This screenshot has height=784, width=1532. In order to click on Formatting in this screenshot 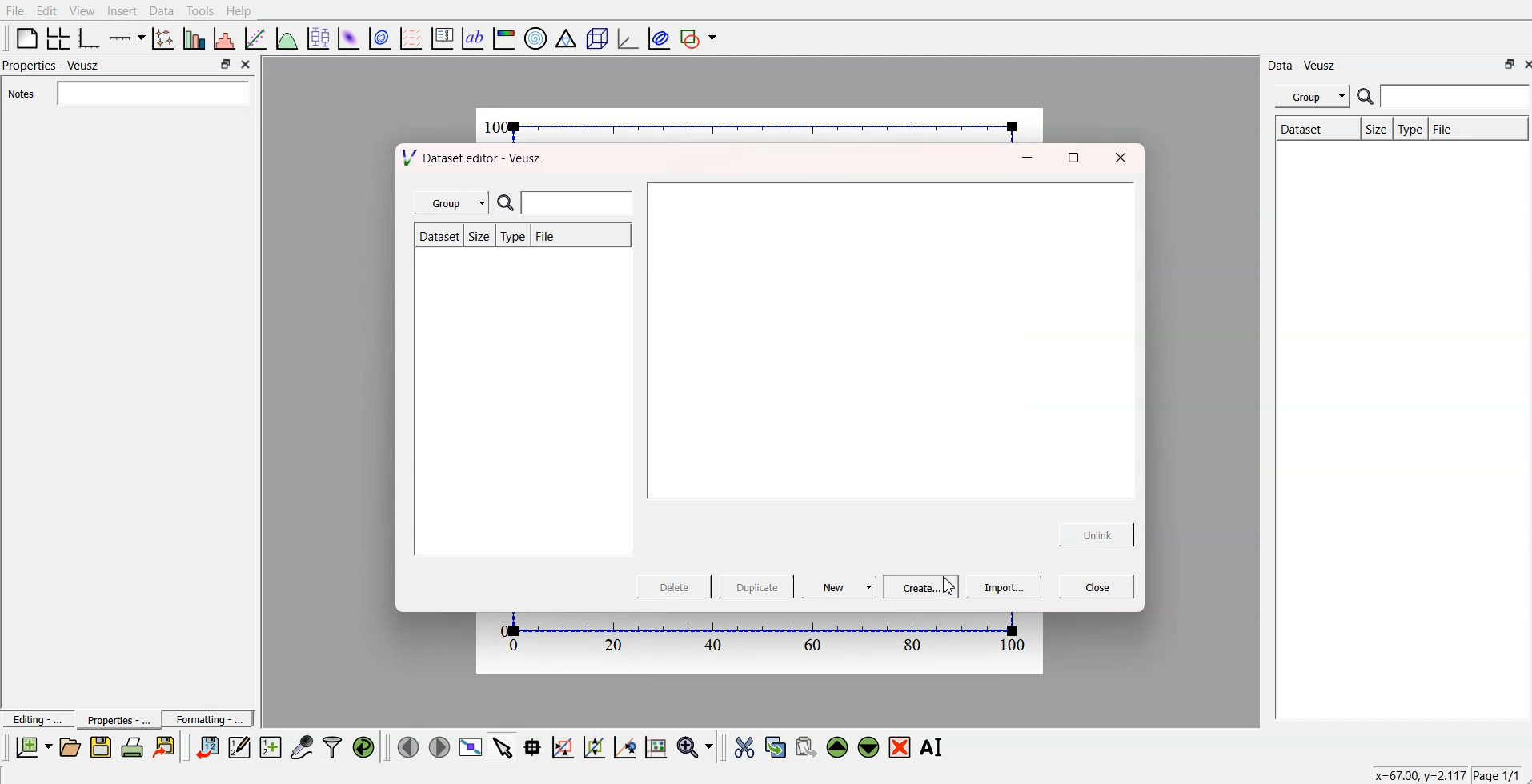, I will do `click(208, 717)`.